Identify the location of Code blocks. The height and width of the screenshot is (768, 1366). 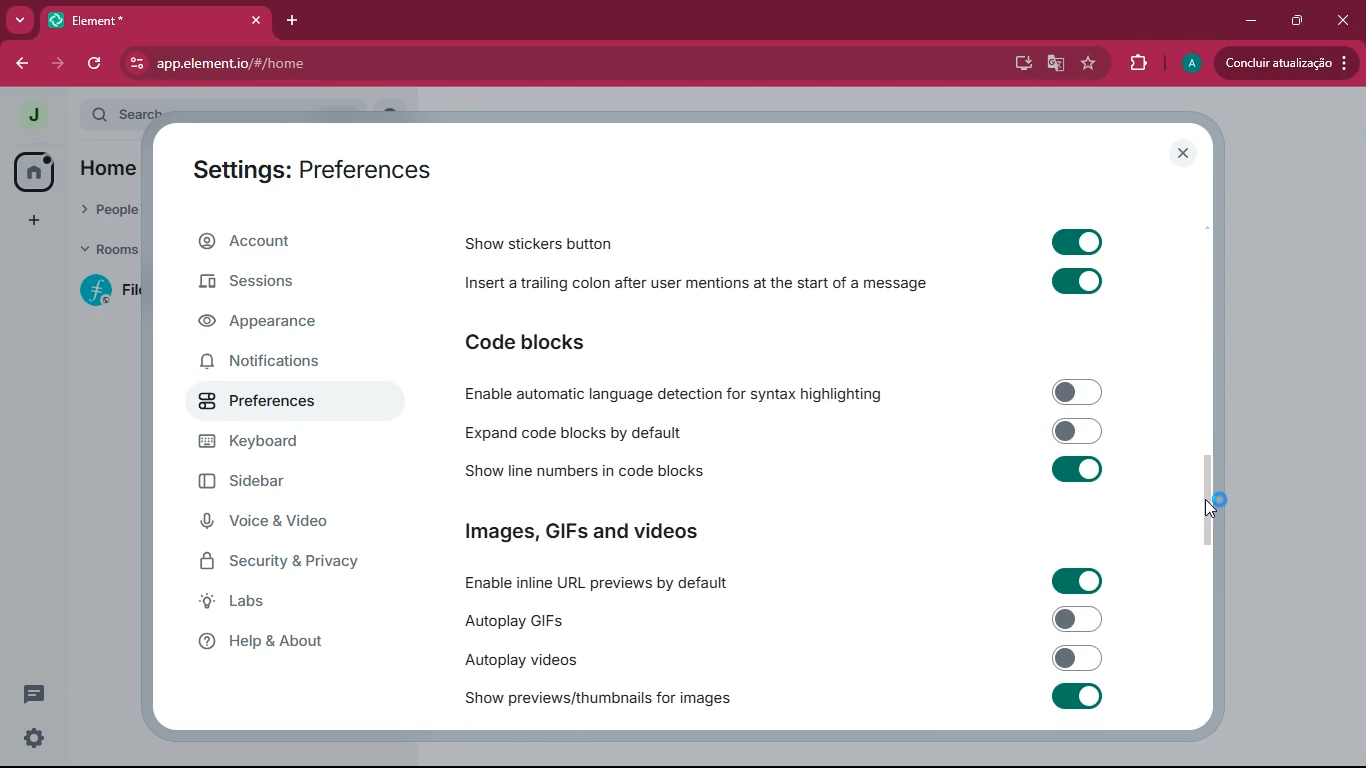
(557, 341).